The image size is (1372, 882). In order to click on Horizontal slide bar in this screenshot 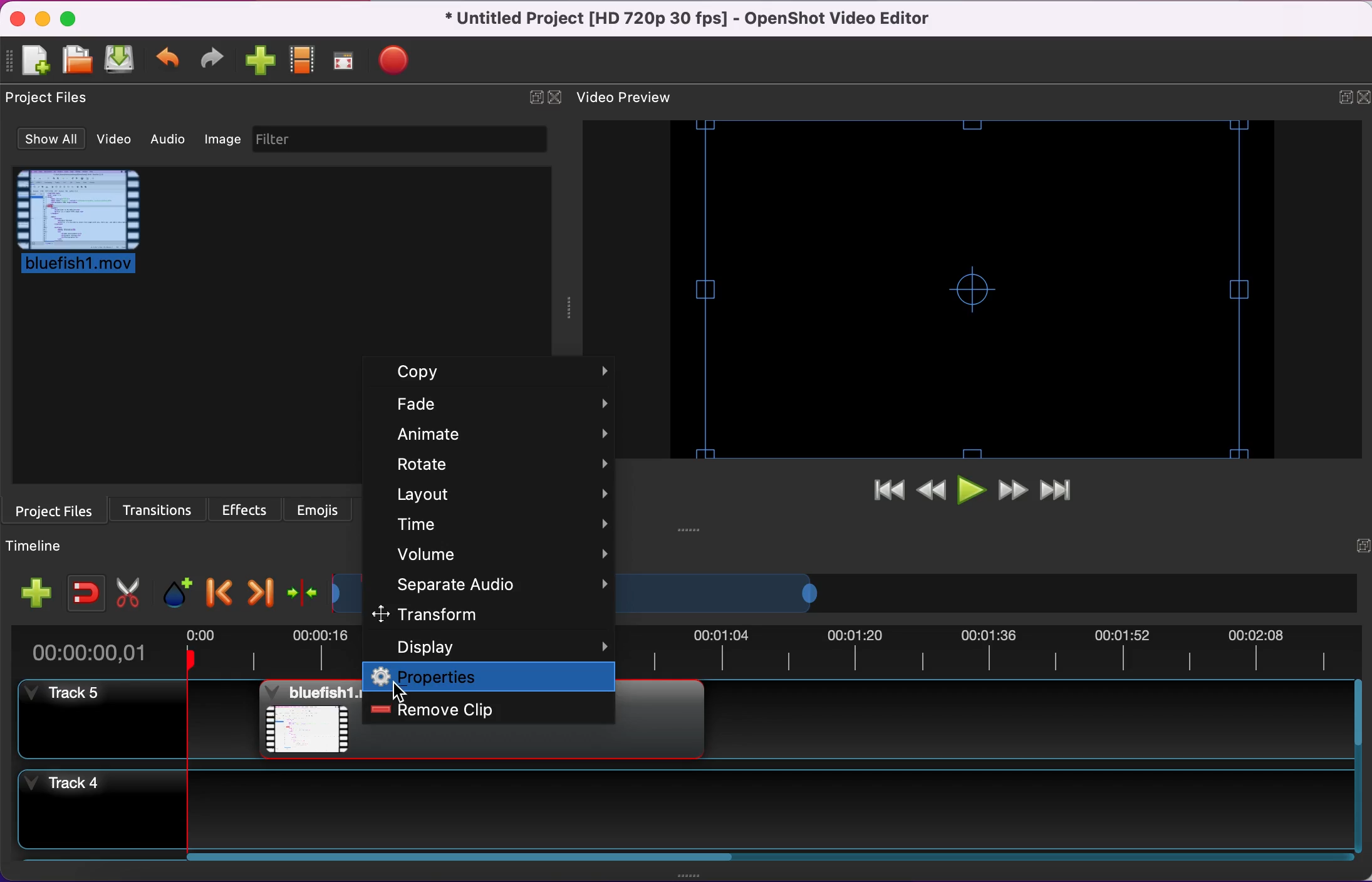, I will do `click(762, 857)`.